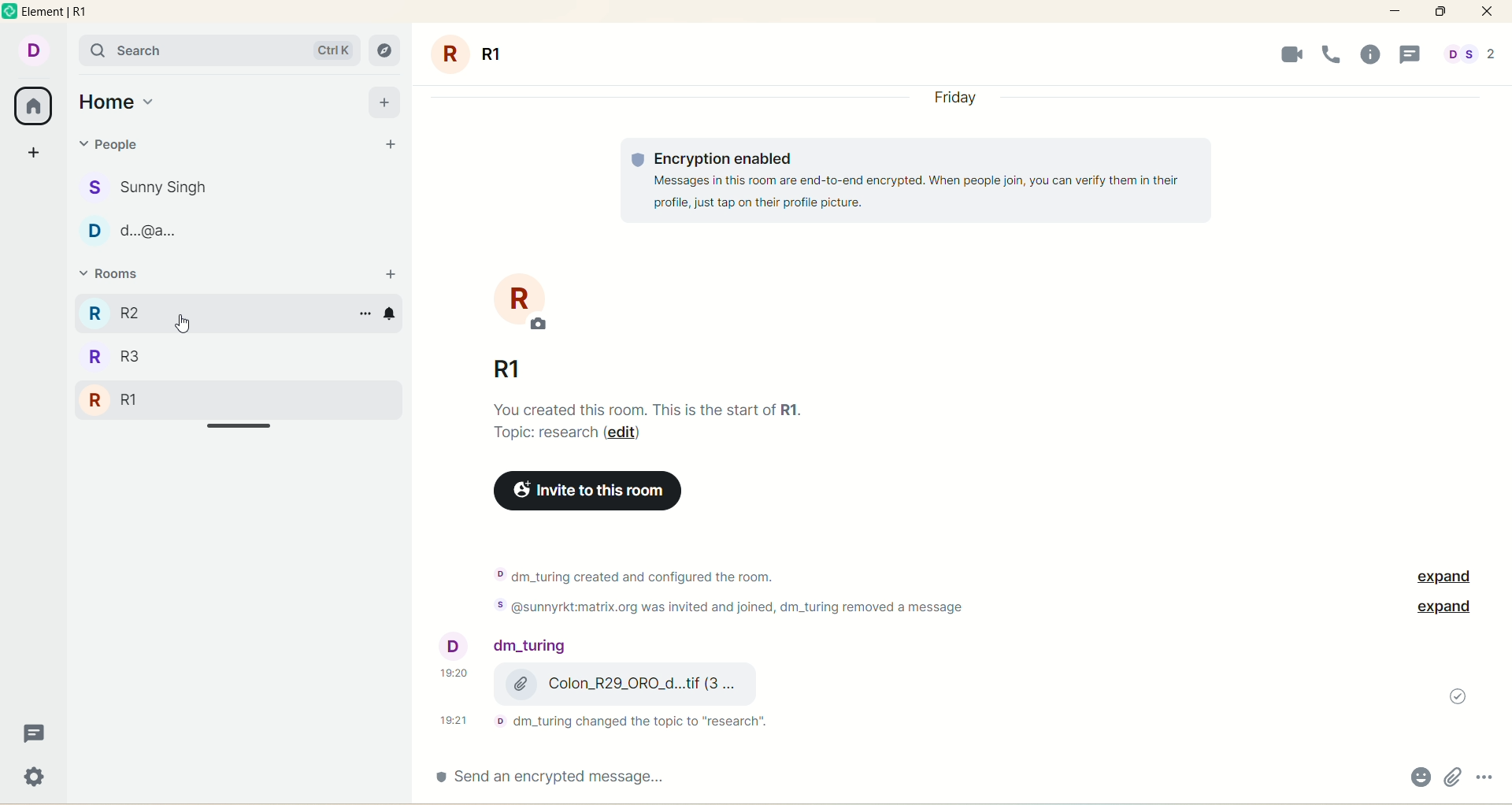  I want to click on R2, so click(125, 360).